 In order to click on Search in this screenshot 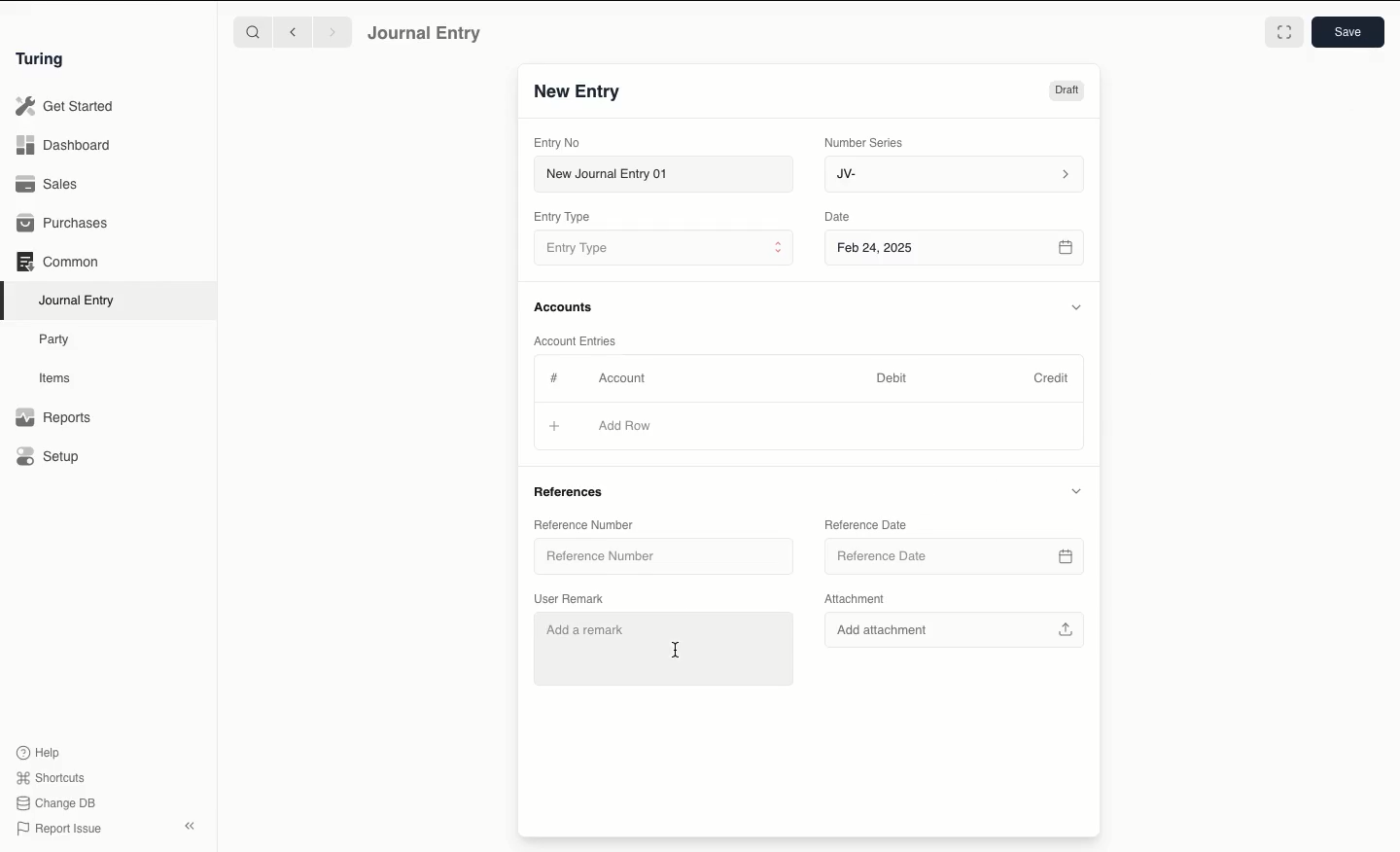, I will do `click(252, 31)`.